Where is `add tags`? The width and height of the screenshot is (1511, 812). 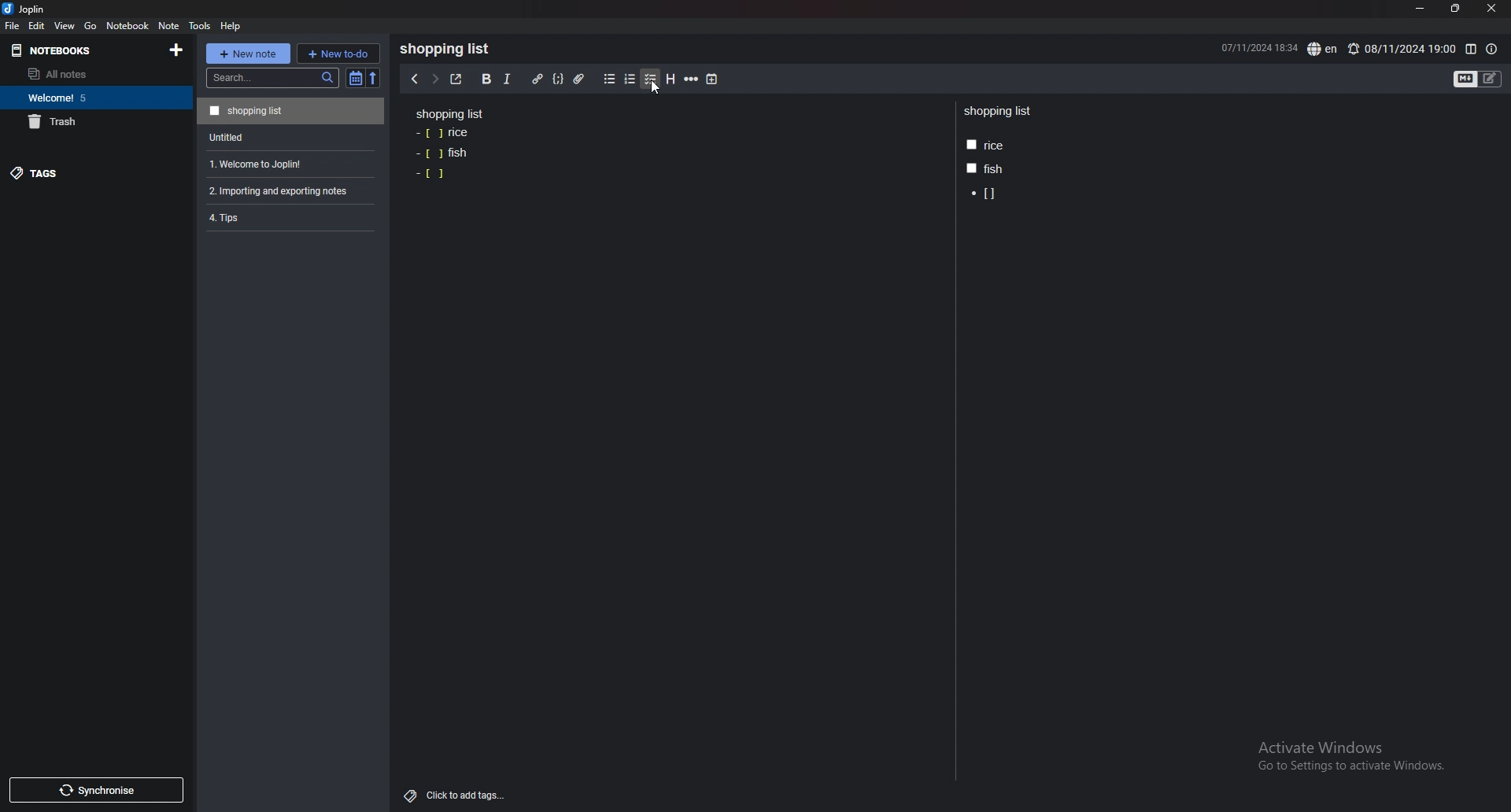
add tags is located at coordinates (456, 796).